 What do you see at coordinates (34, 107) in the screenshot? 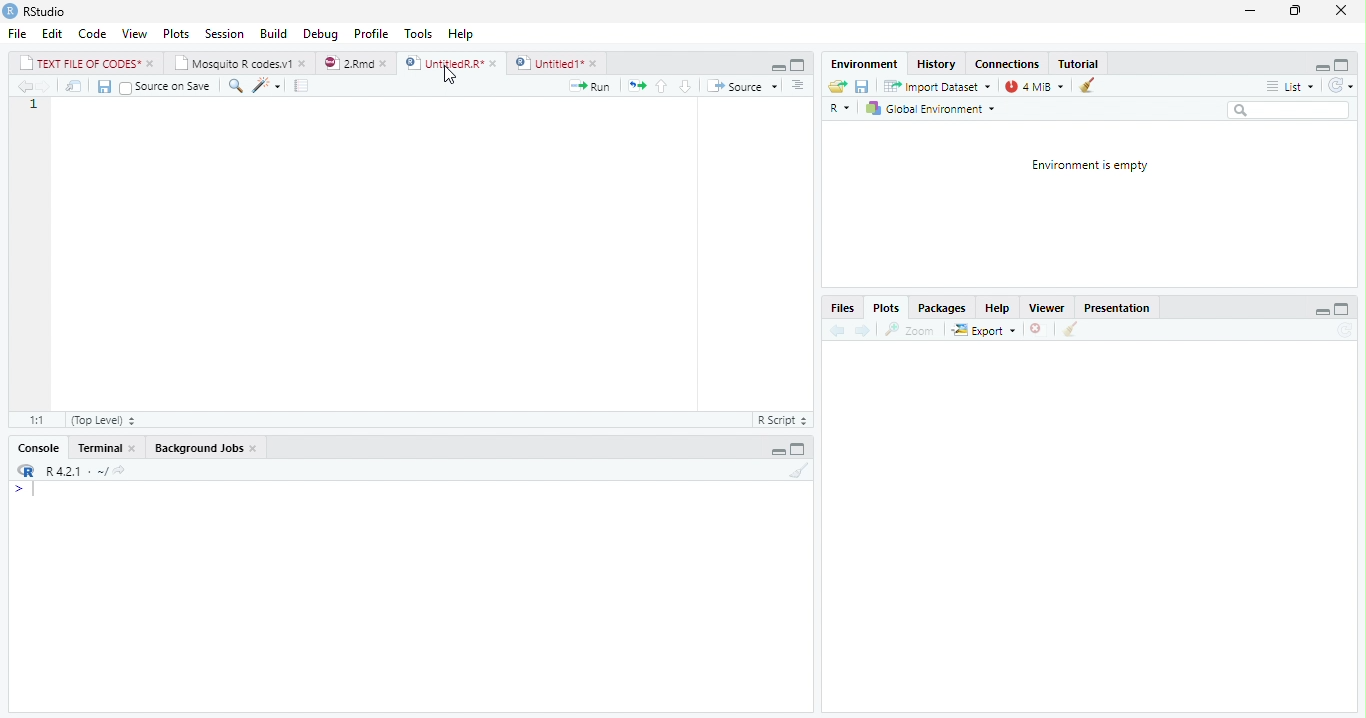
I see `1` at bounding box center [34, 107].